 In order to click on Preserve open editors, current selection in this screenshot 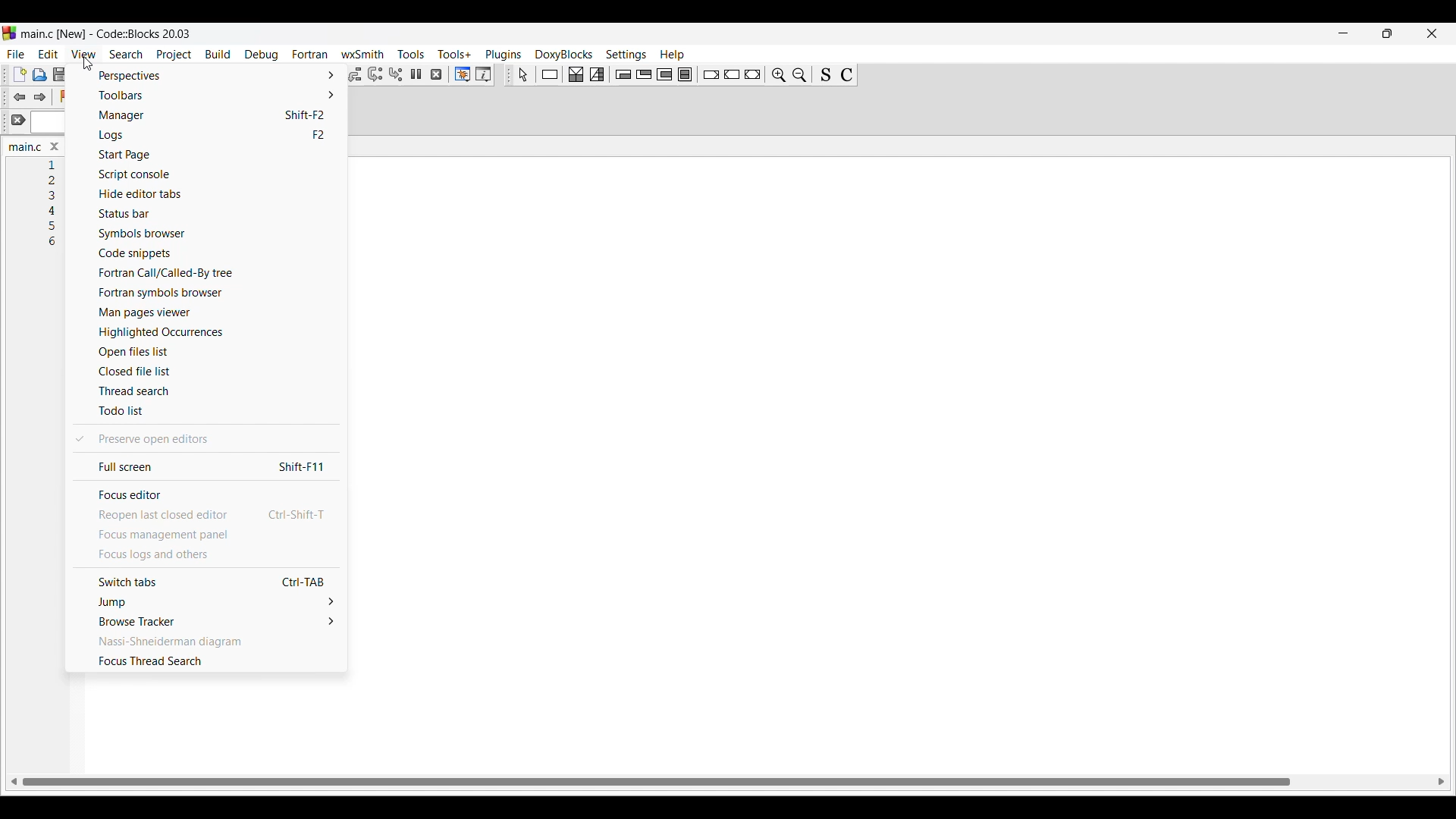, I will do `click(204, 438)`.